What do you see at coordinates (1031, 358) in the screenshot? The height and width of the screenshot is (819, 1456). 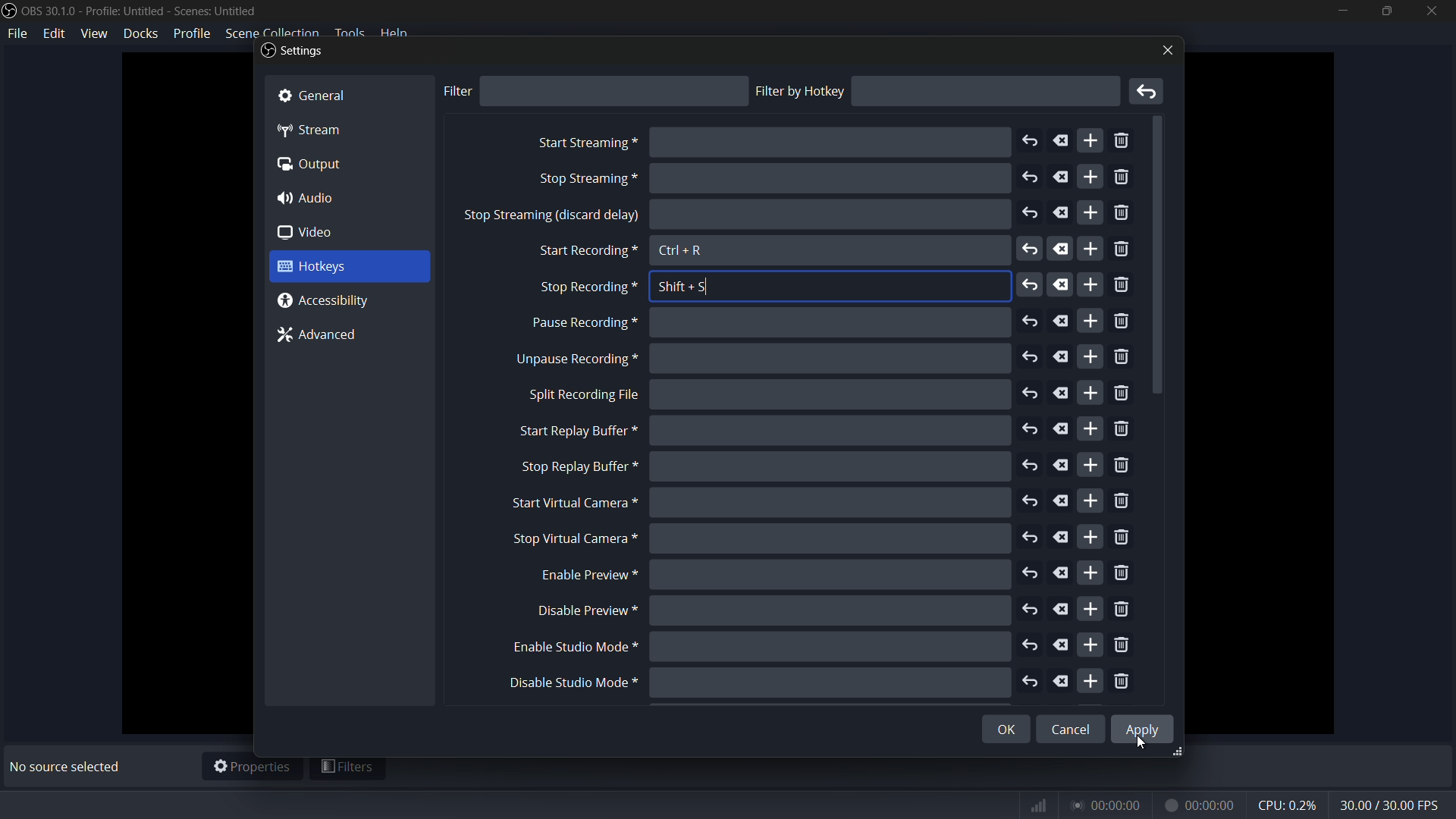 I see `undo` at bounding box center [1031, 358].